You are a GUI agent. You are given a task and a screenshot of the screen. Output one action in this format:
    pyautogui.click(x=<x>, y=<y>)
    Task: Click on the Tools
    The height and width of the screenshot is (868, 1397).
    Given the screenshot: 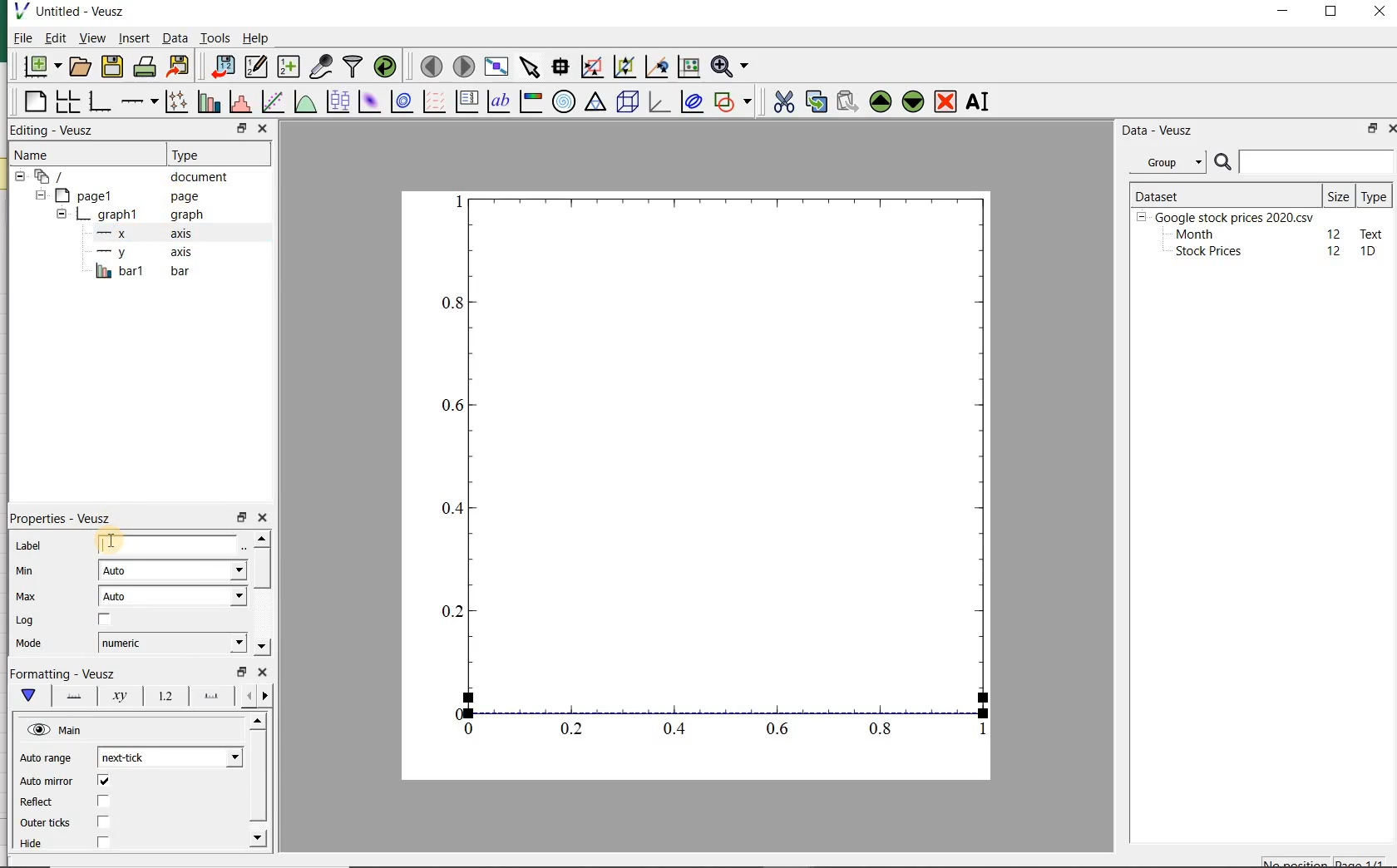 What is the action you would take?
    pyautogui.click(x=215, y=38)
    